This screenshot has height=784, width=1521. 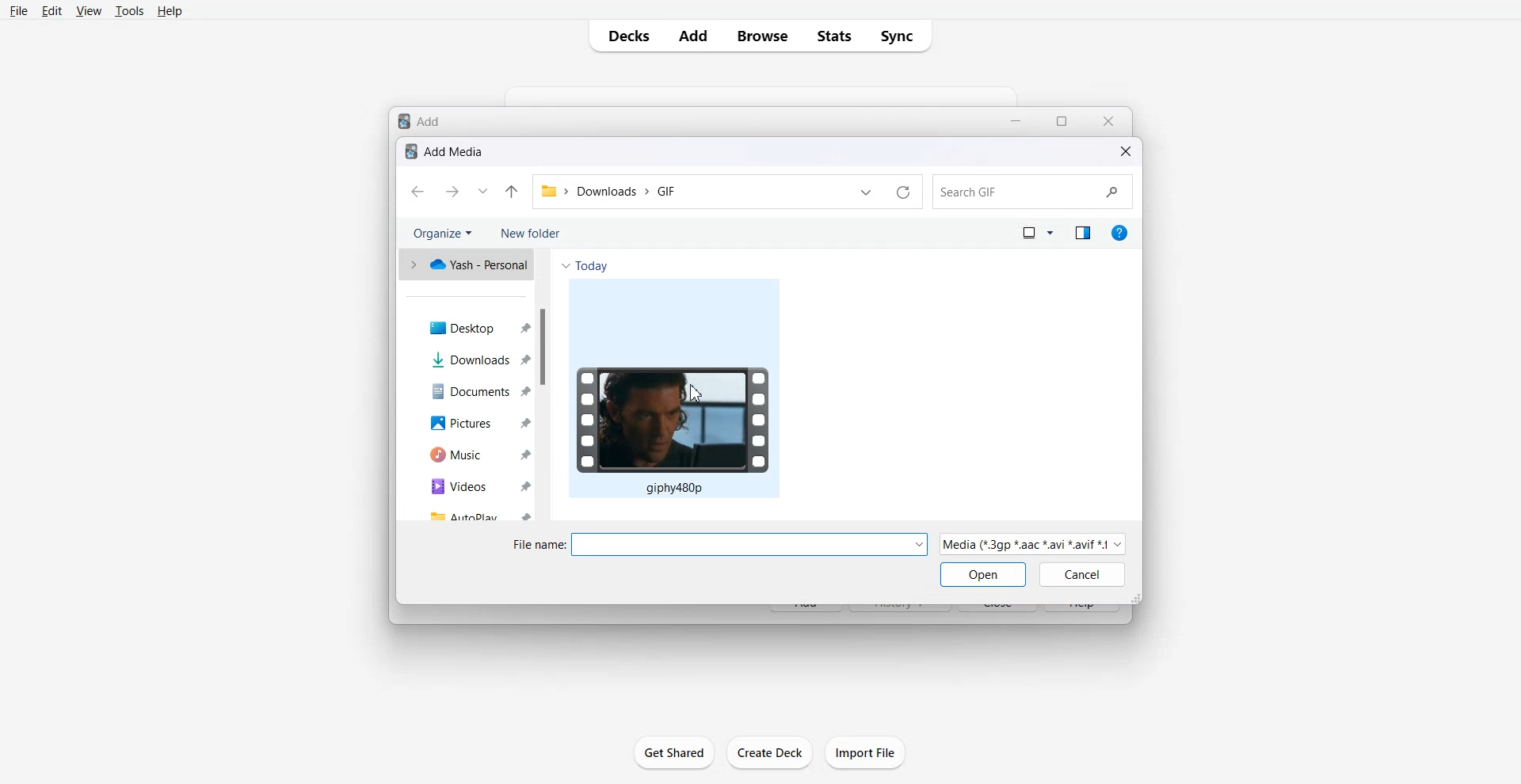 I want to click on Sync, so click(x=904, y=36).